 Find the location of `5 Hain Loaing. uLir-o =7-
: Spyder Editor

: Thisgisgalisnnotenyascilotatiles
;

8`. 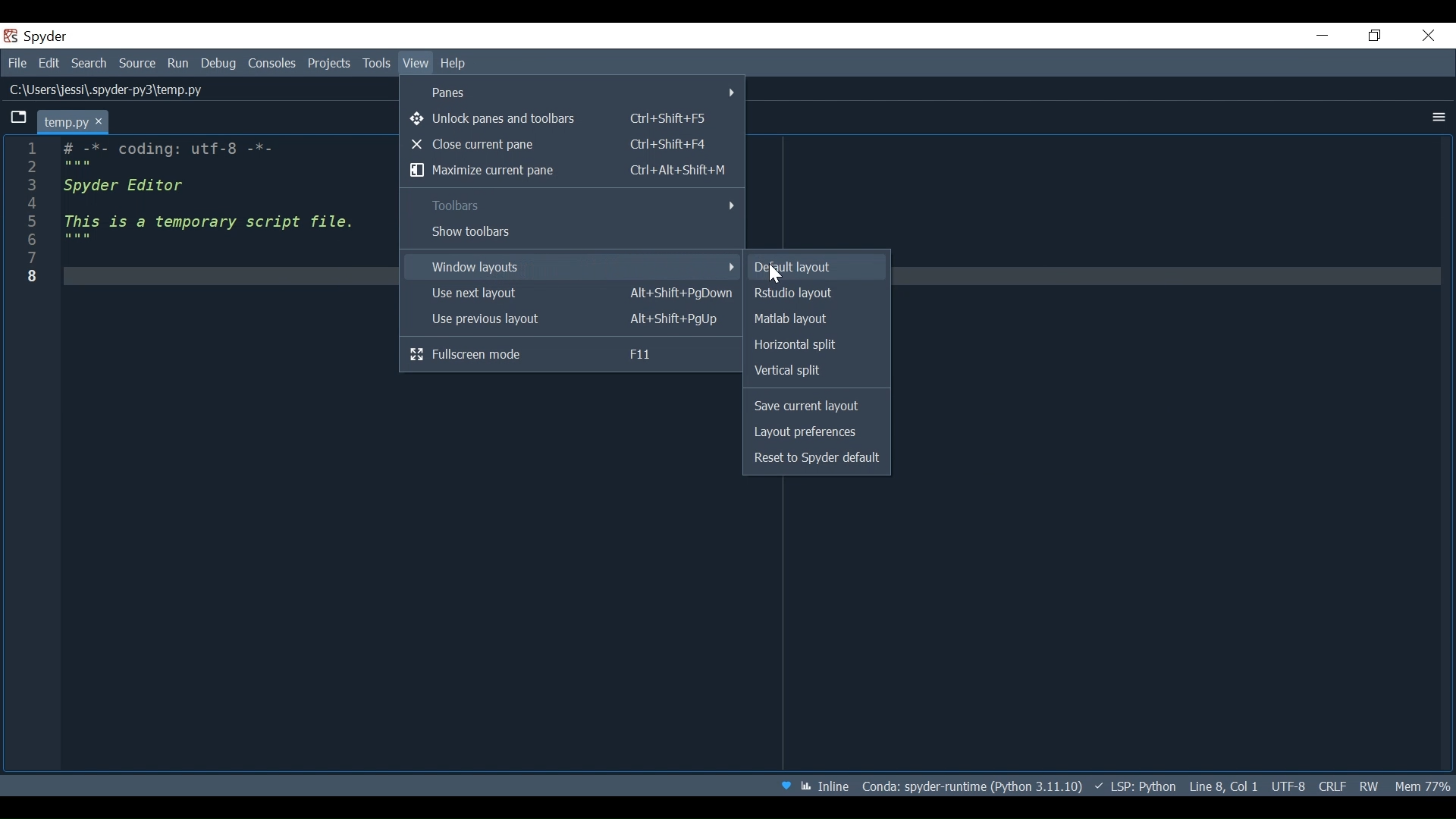

5 Hain Loaing. uLir-o =7-
: Spyder Editor

: Thisgisgalisnnotenyascilotatiles
;

8 is located at coordinates (190, 221).